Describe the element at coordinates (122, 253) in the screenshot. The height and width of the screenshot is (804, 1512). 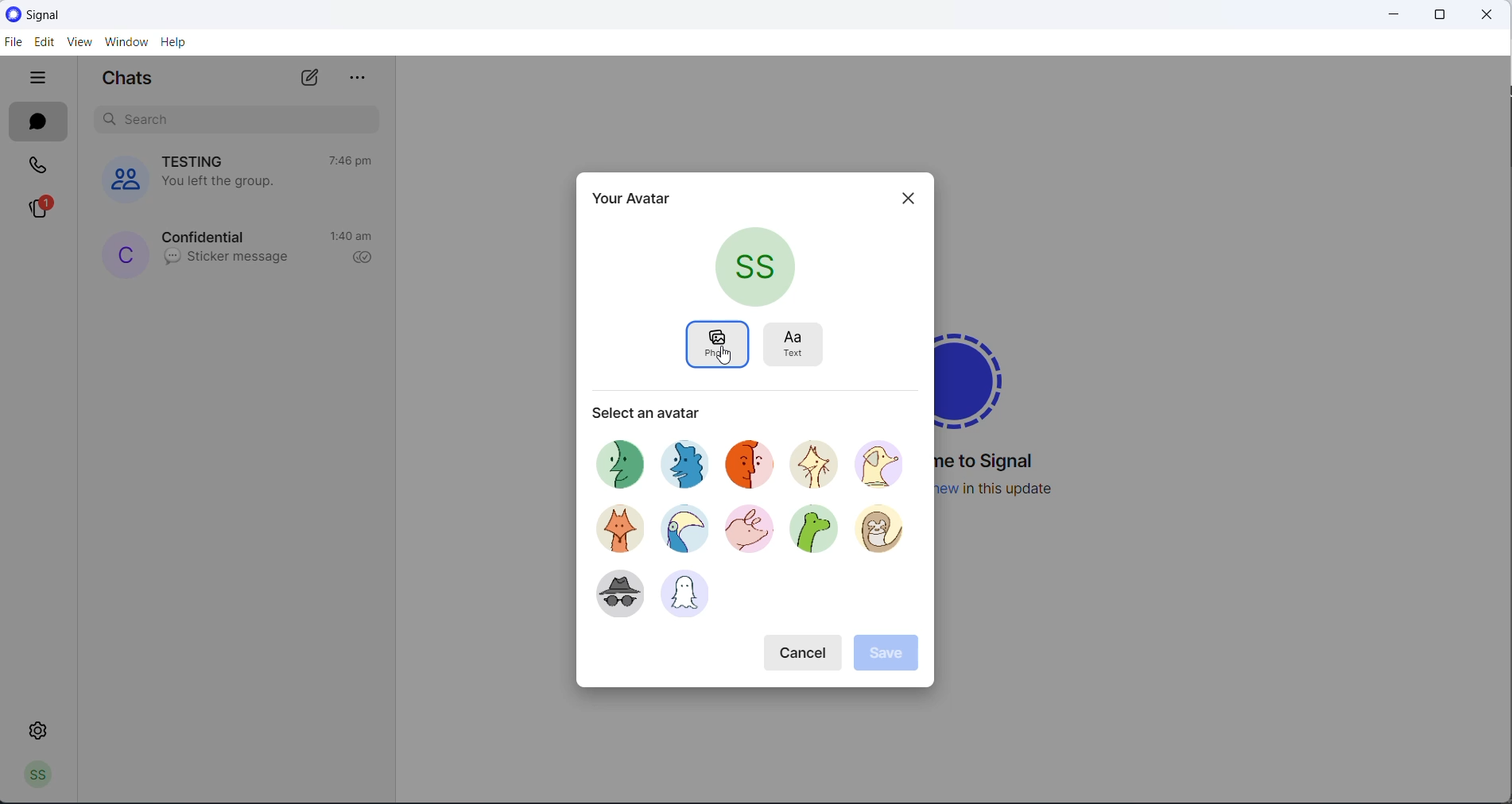
I see `profile picture` at that location.